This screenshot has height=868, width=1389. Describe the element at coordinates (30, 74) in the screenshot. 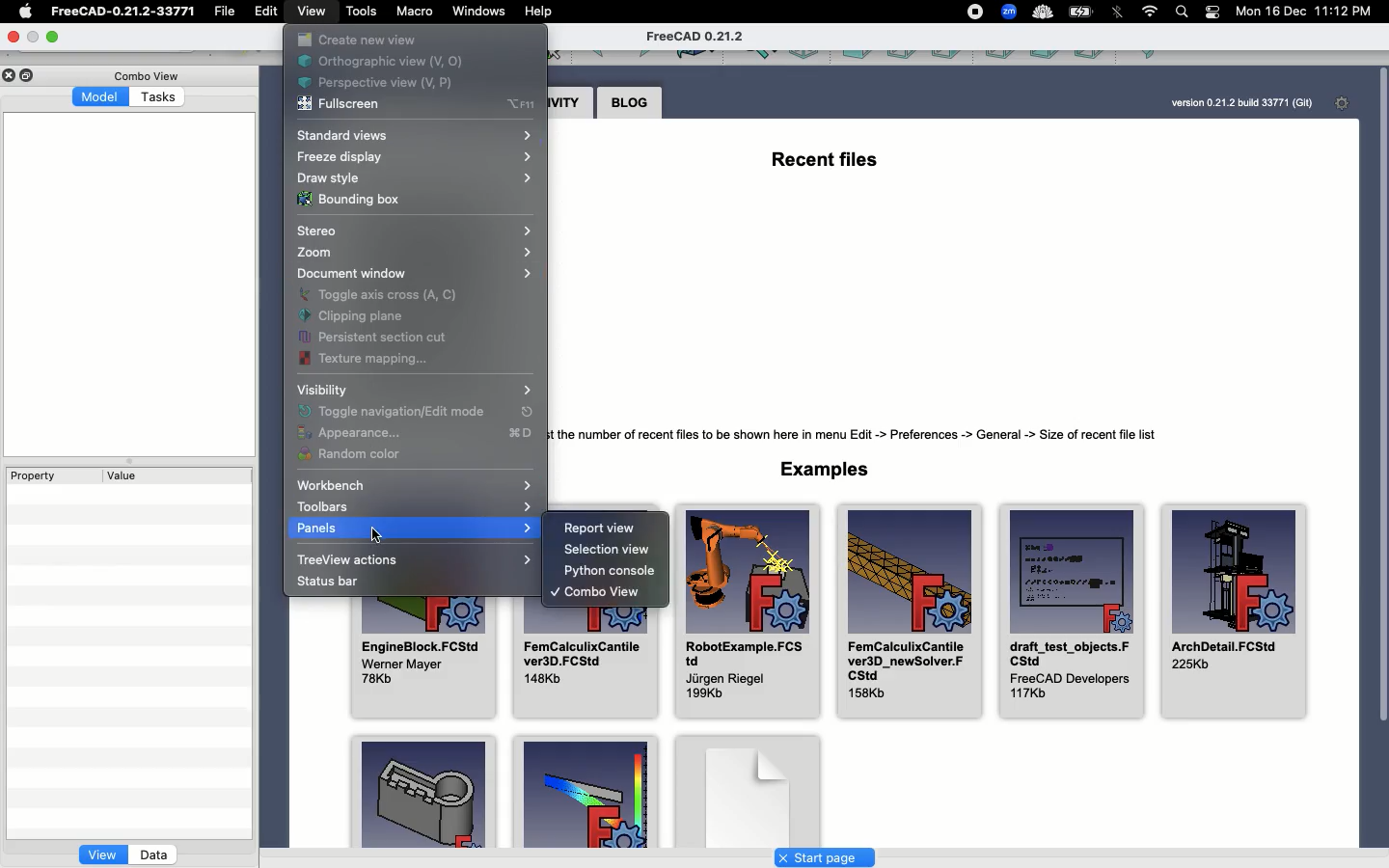

I see `Duplicate` at that location.